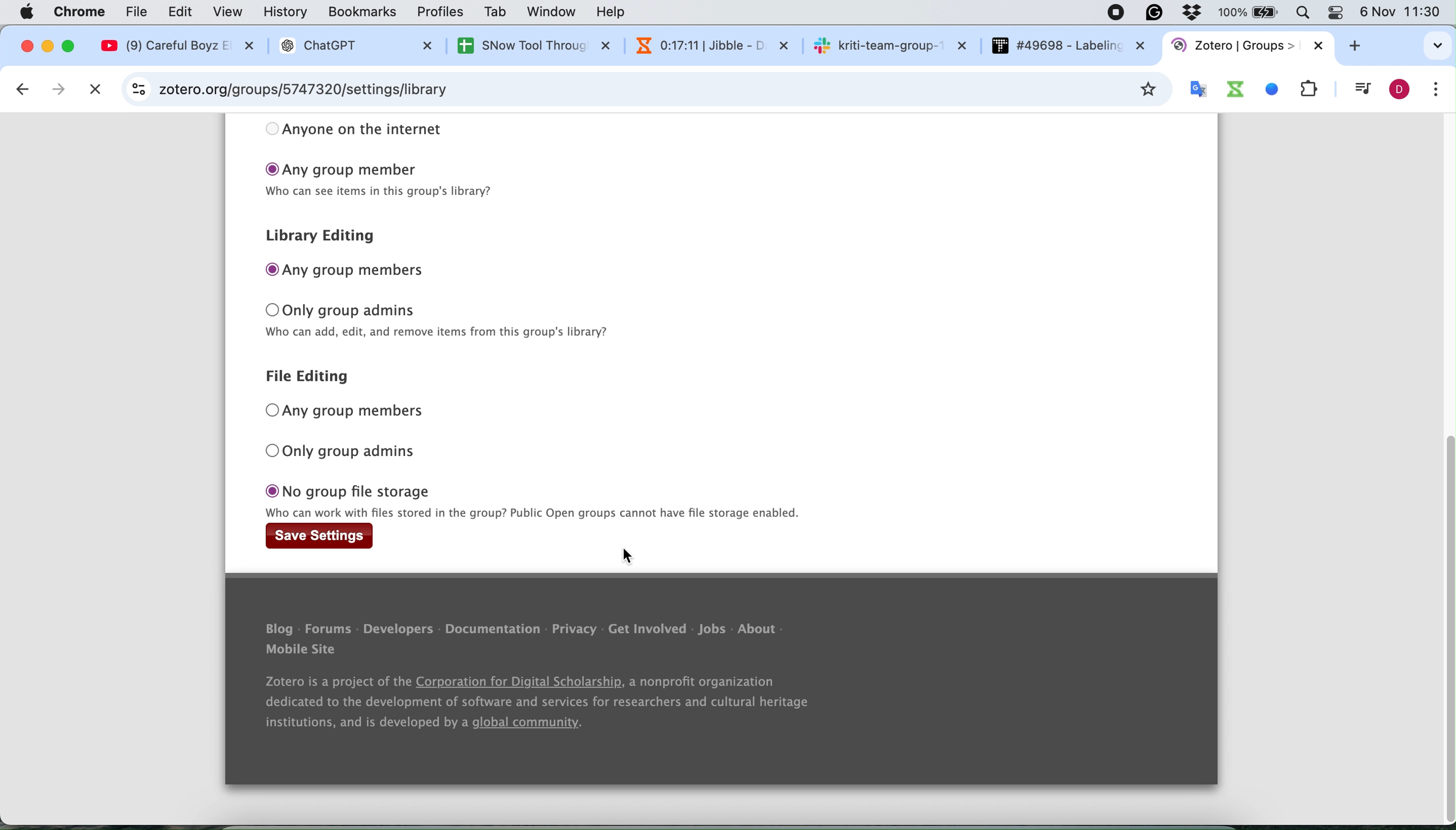 The image size is (1456, 830). Describe the element at coordinates (1069, 46) in the screenshot. I see `# #49698 - Labelin: x` at that location.